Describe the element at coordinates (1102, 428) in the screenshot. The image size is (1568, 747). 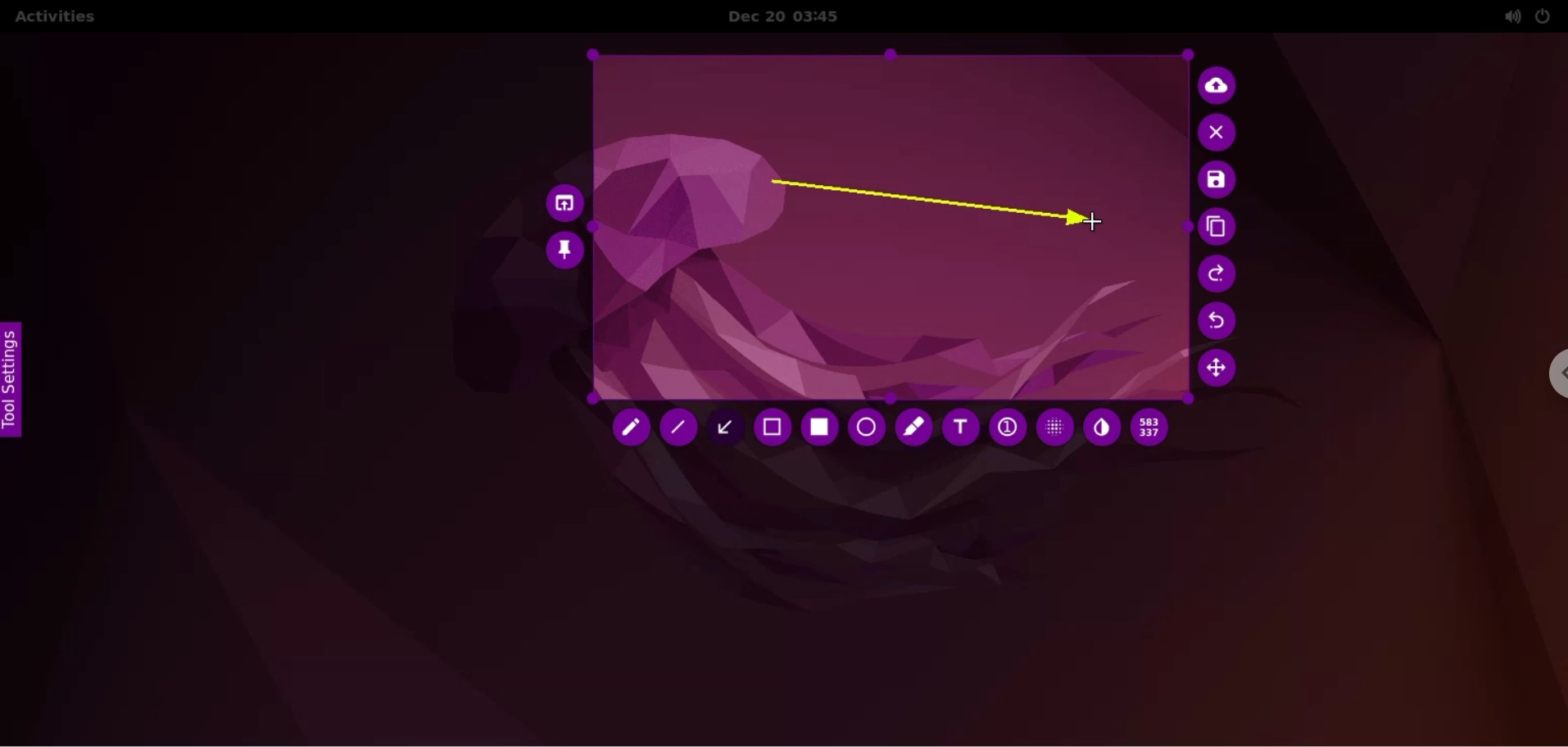
I see `inverter tool` at that location.